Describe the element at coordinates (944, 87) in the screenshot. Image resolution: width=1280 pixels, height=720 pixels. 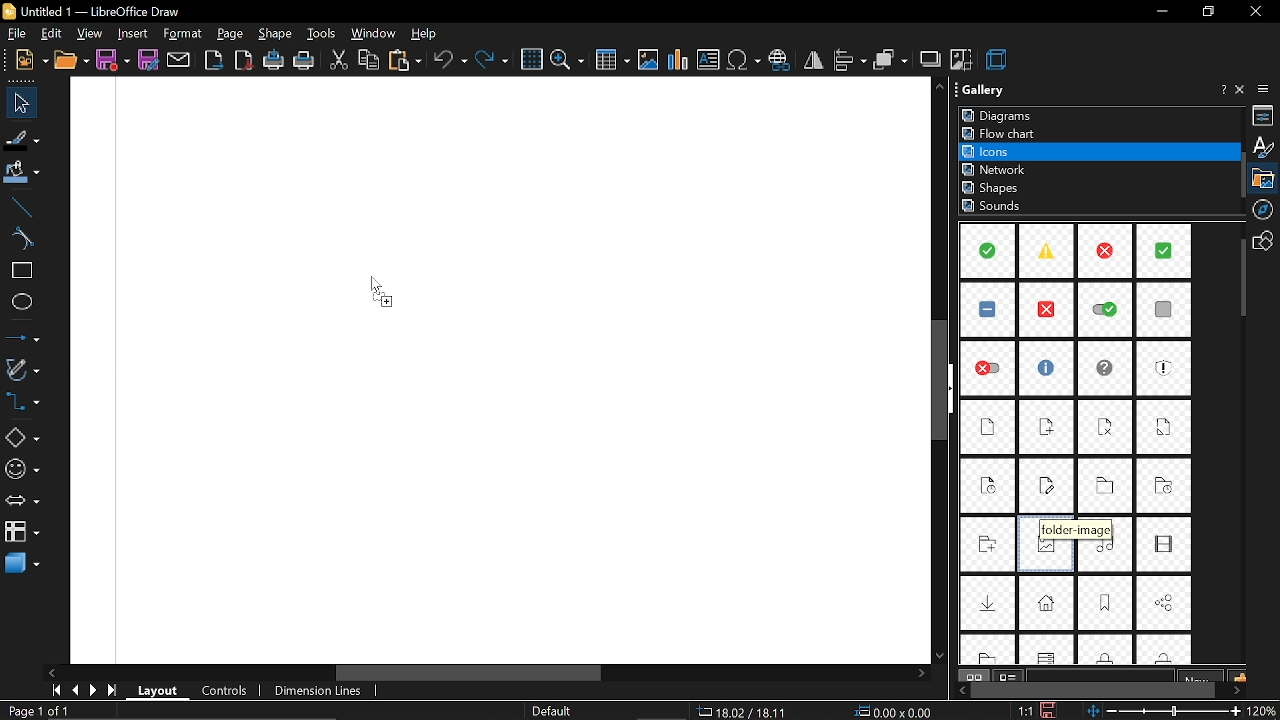
I see `scroll up` at that location.